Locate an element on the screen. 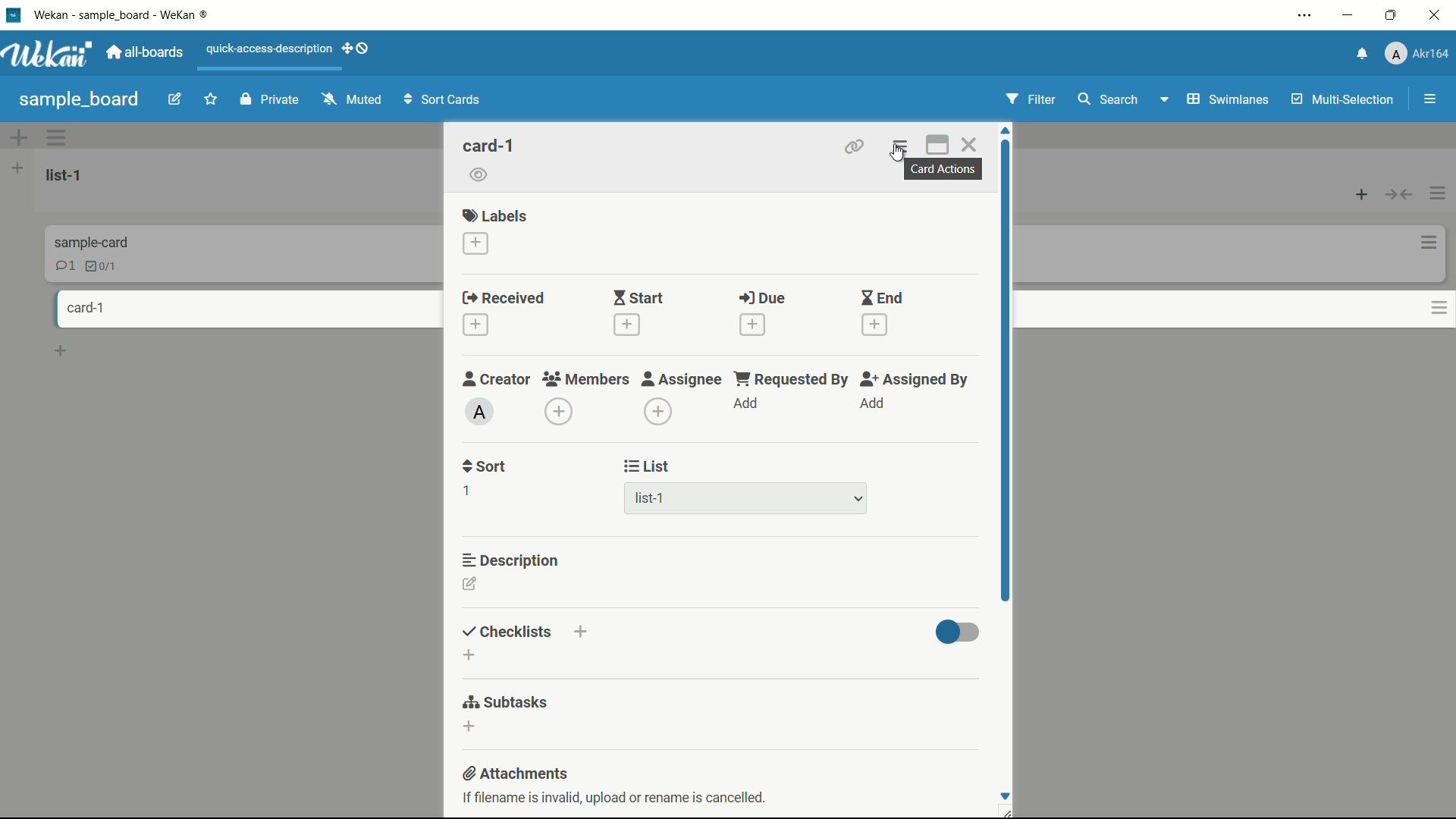 The height and width of the screenshot is (819, 1456). add card is located at coordinates (62, 351).